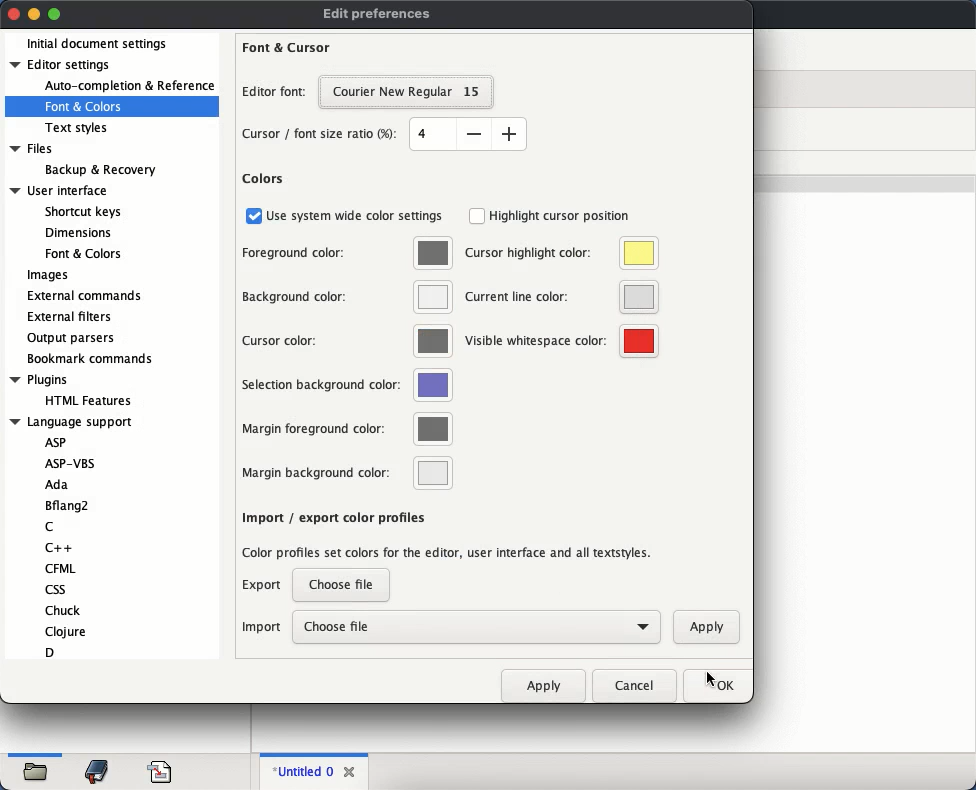 This screenshot has width=976, height=790. Describe the element at coordinates (85, 107) in the screenshot. I see `font and colors` at that location.